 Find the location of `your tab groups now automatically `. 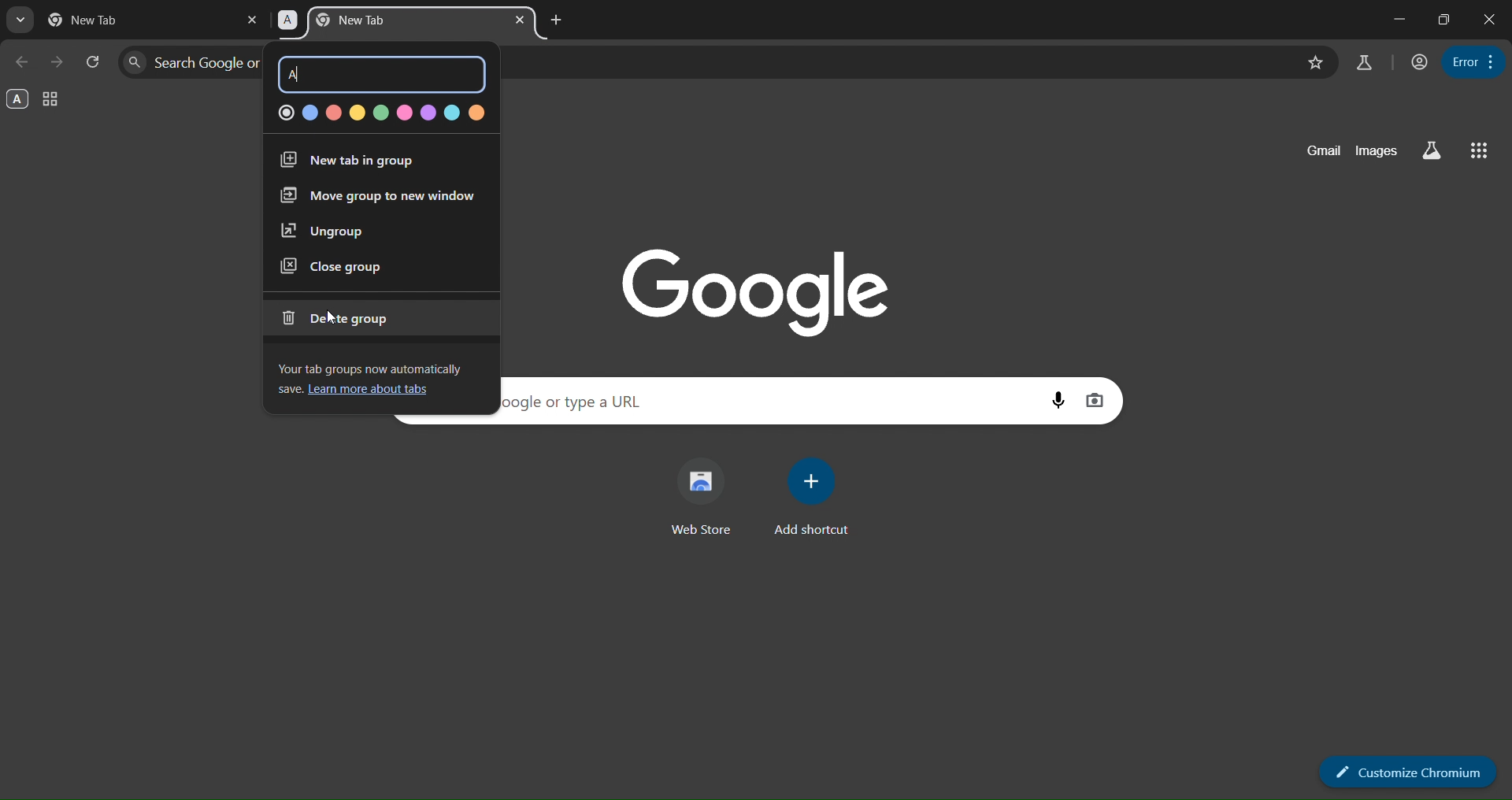

your tab groups now automatically  is located at coordinates (377, 365).